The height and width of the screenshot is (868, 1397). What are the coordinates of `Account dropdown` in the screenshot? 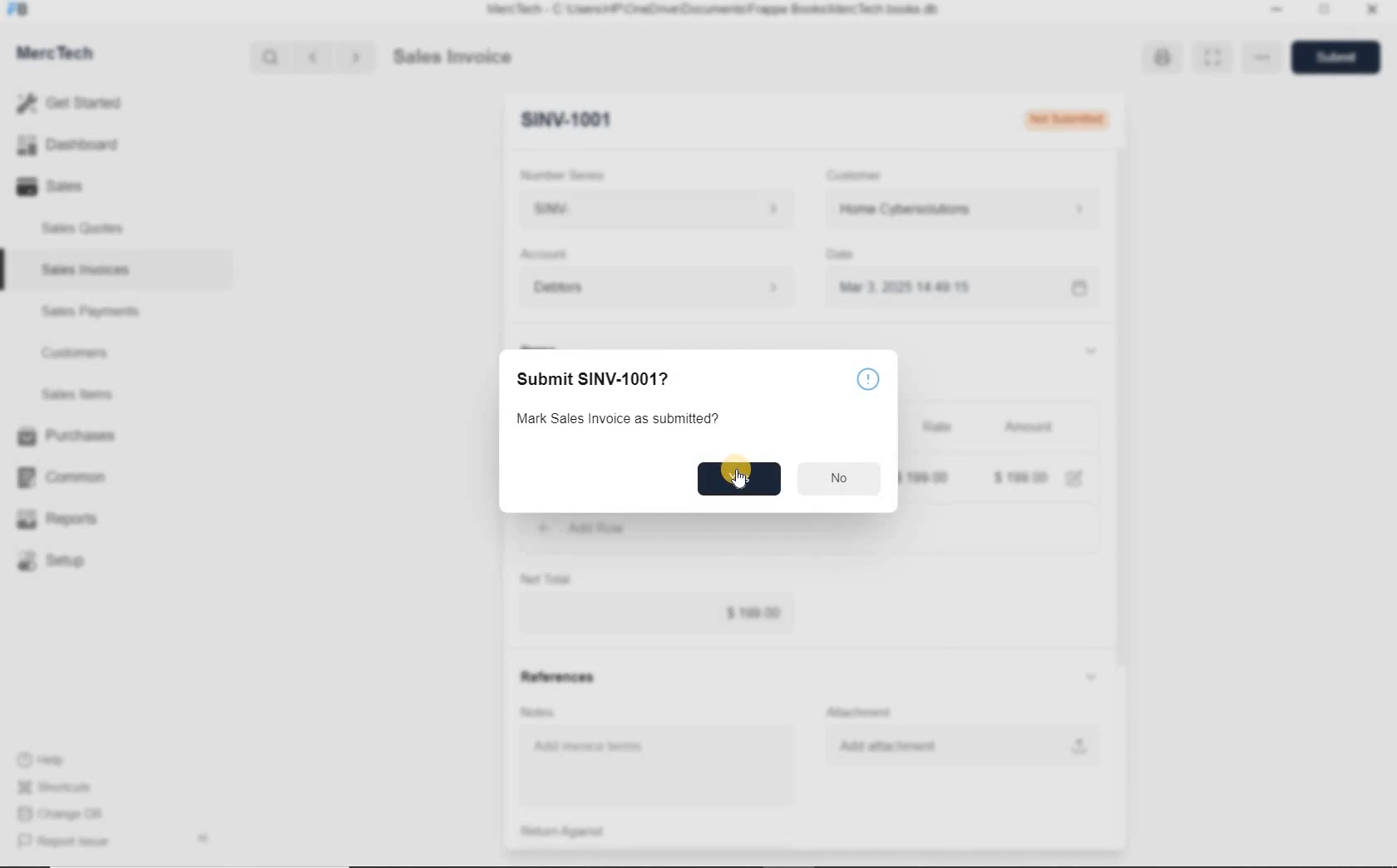 It's located at (659, 289).